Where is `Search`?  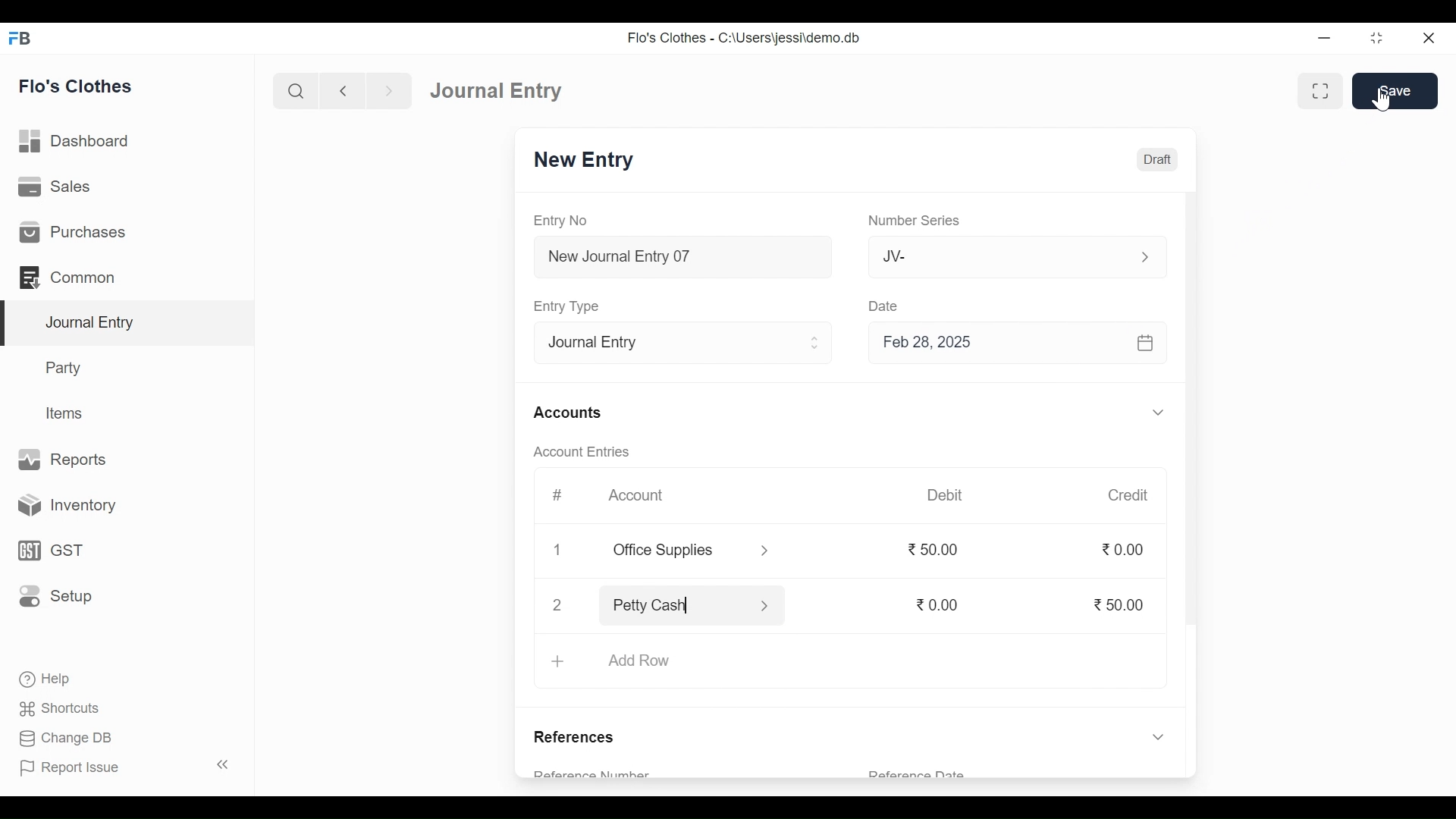
Search is located at coordinates (296, 92).